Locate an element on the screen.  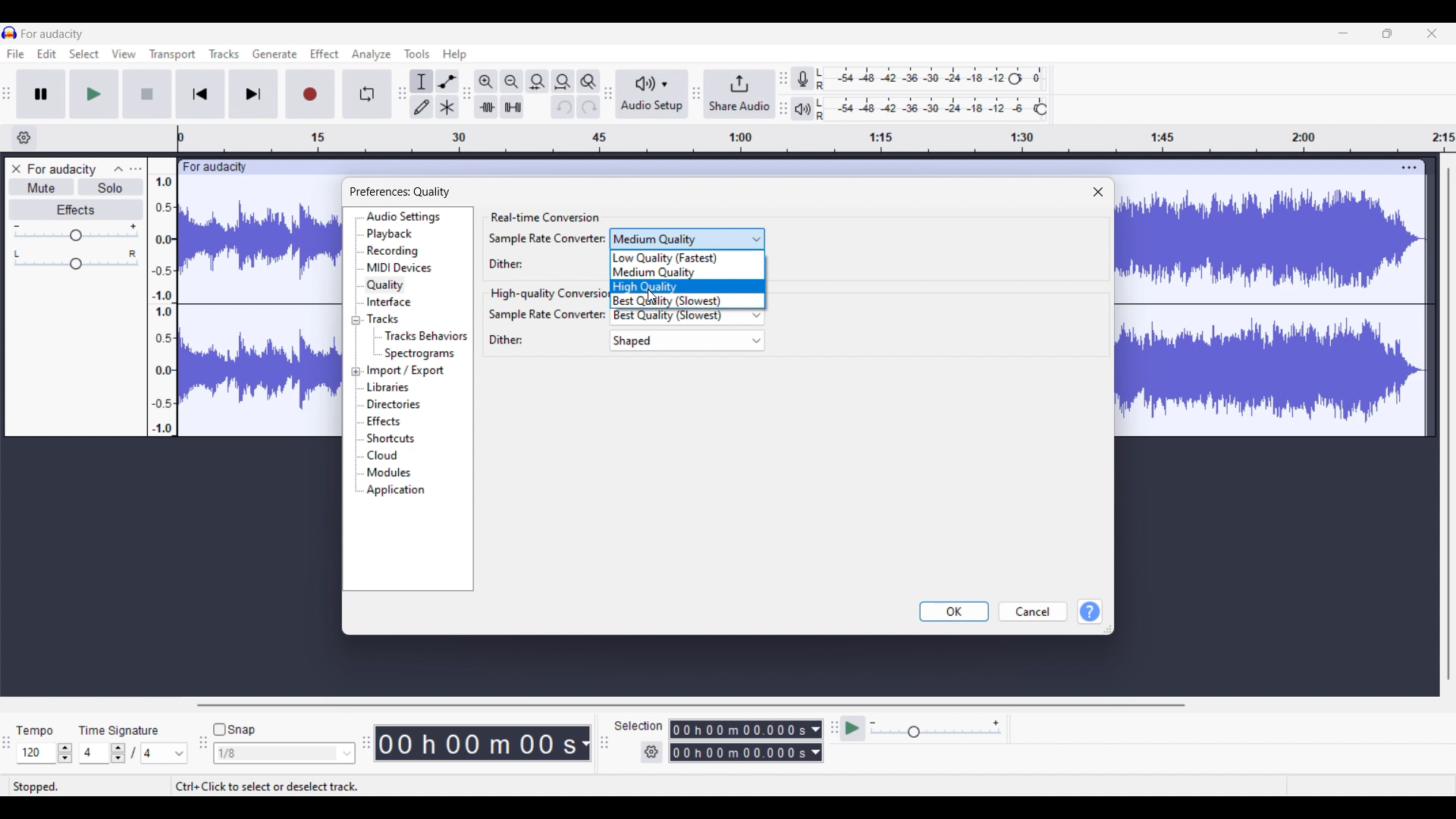
cursor is located at coordinates (653, 298).